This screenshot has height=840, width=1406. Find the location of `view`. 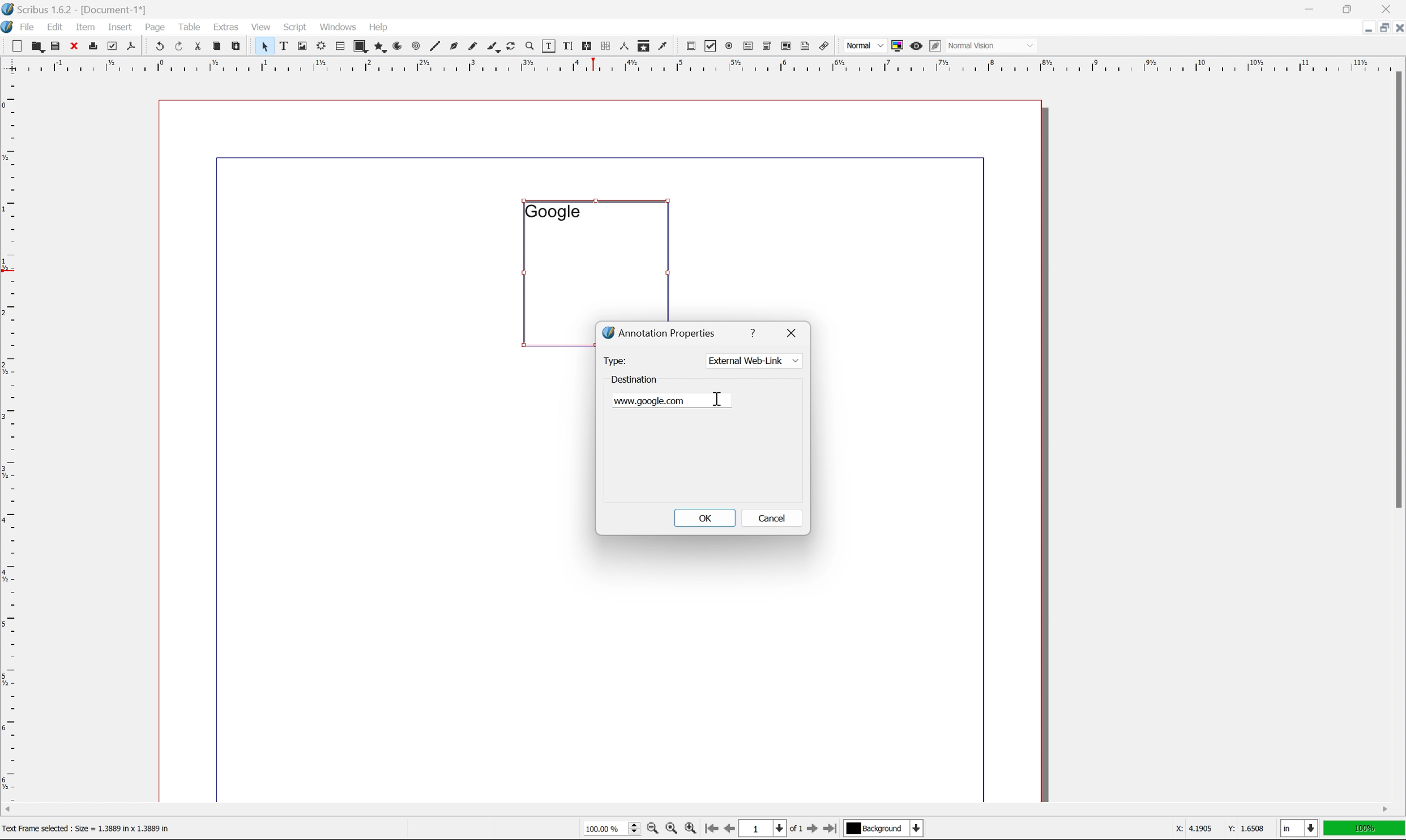

view is located at coordinates (263, 26).